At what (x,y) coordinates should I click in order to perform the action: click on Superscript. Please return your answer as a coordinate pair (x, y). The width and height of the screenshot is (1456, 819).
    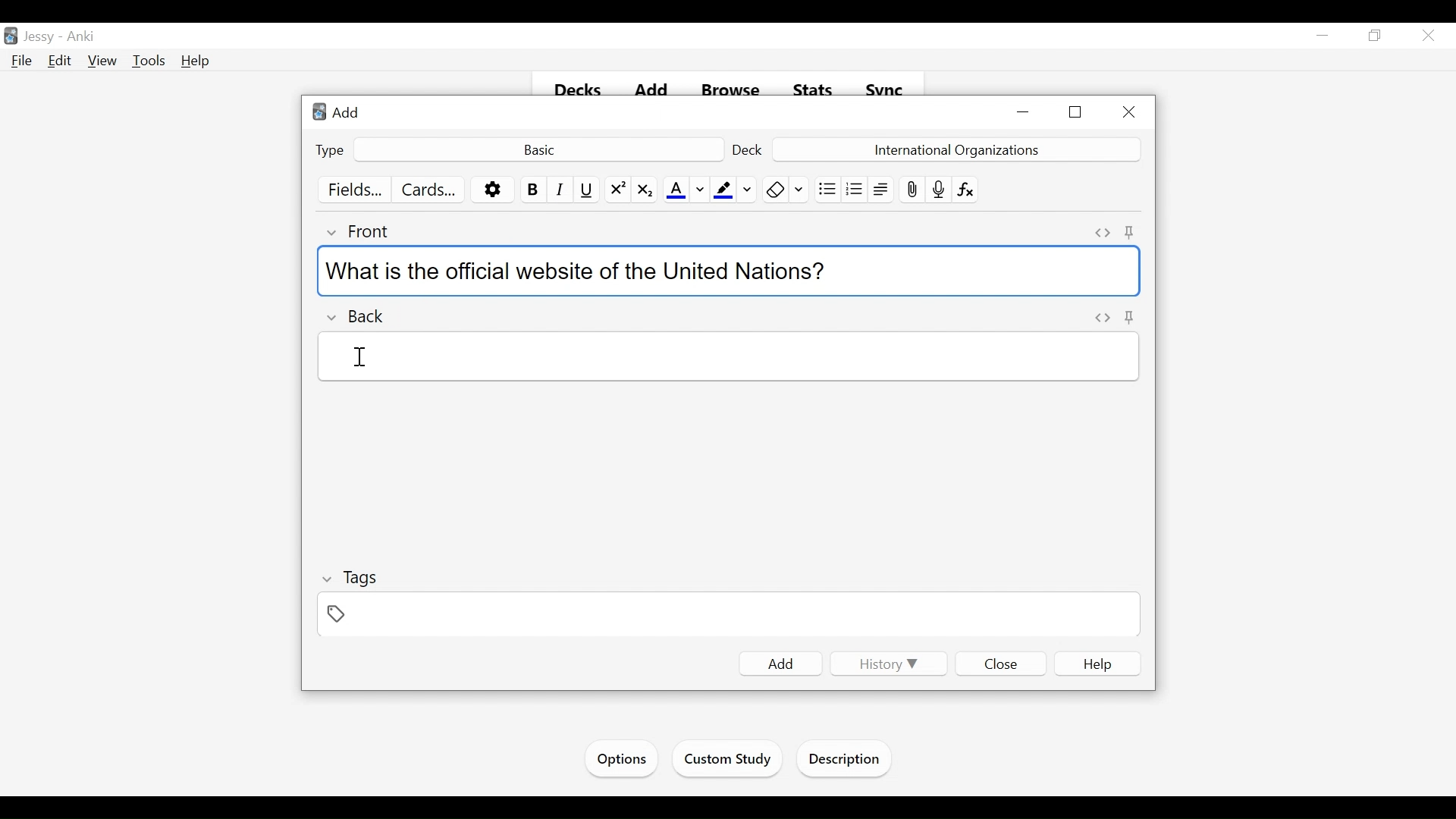
    Looking at the image, I should click on (616, 190).